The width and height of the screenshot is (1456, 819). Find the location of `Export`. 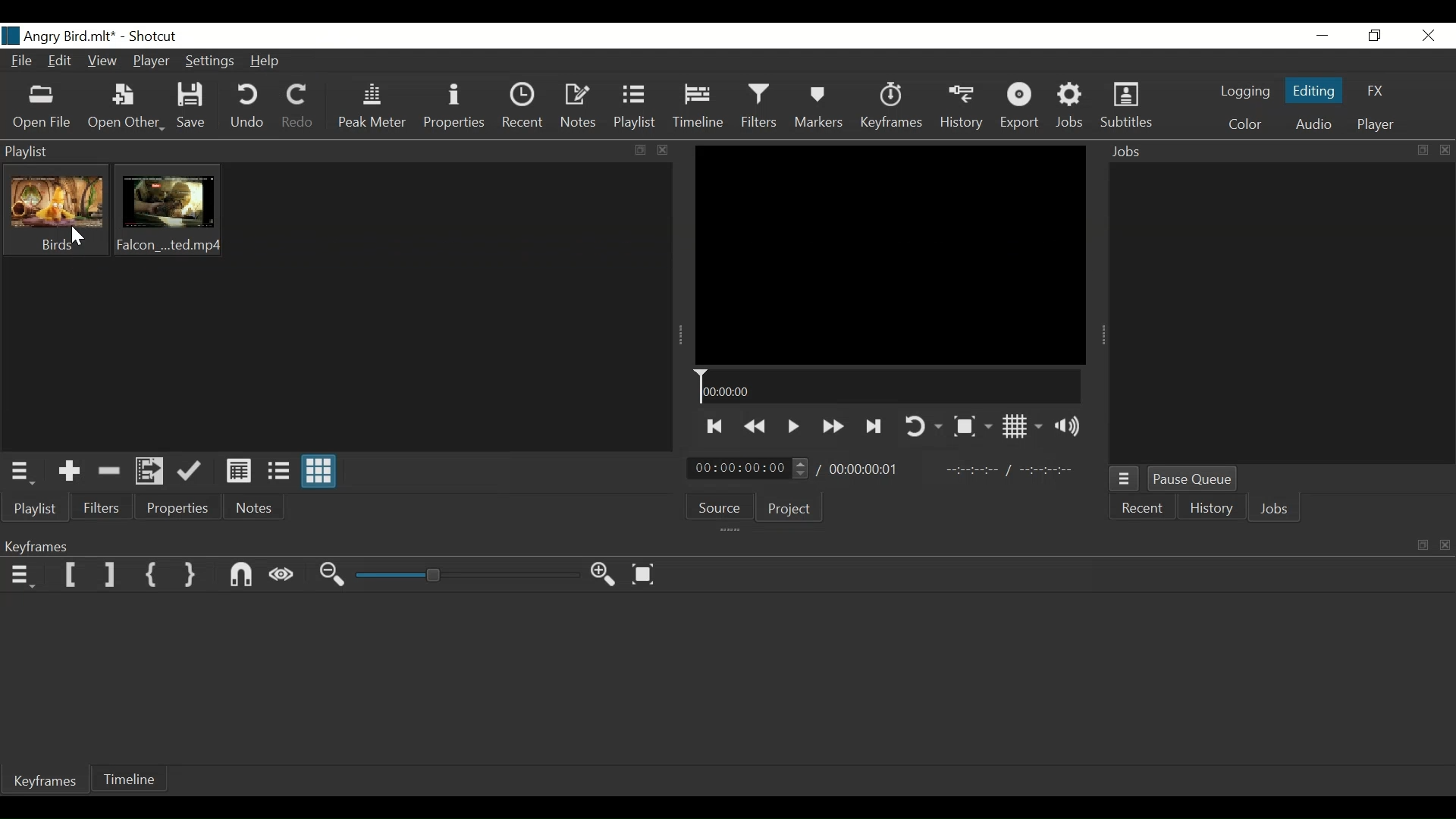

Export is located at coordinates (1018, 108).